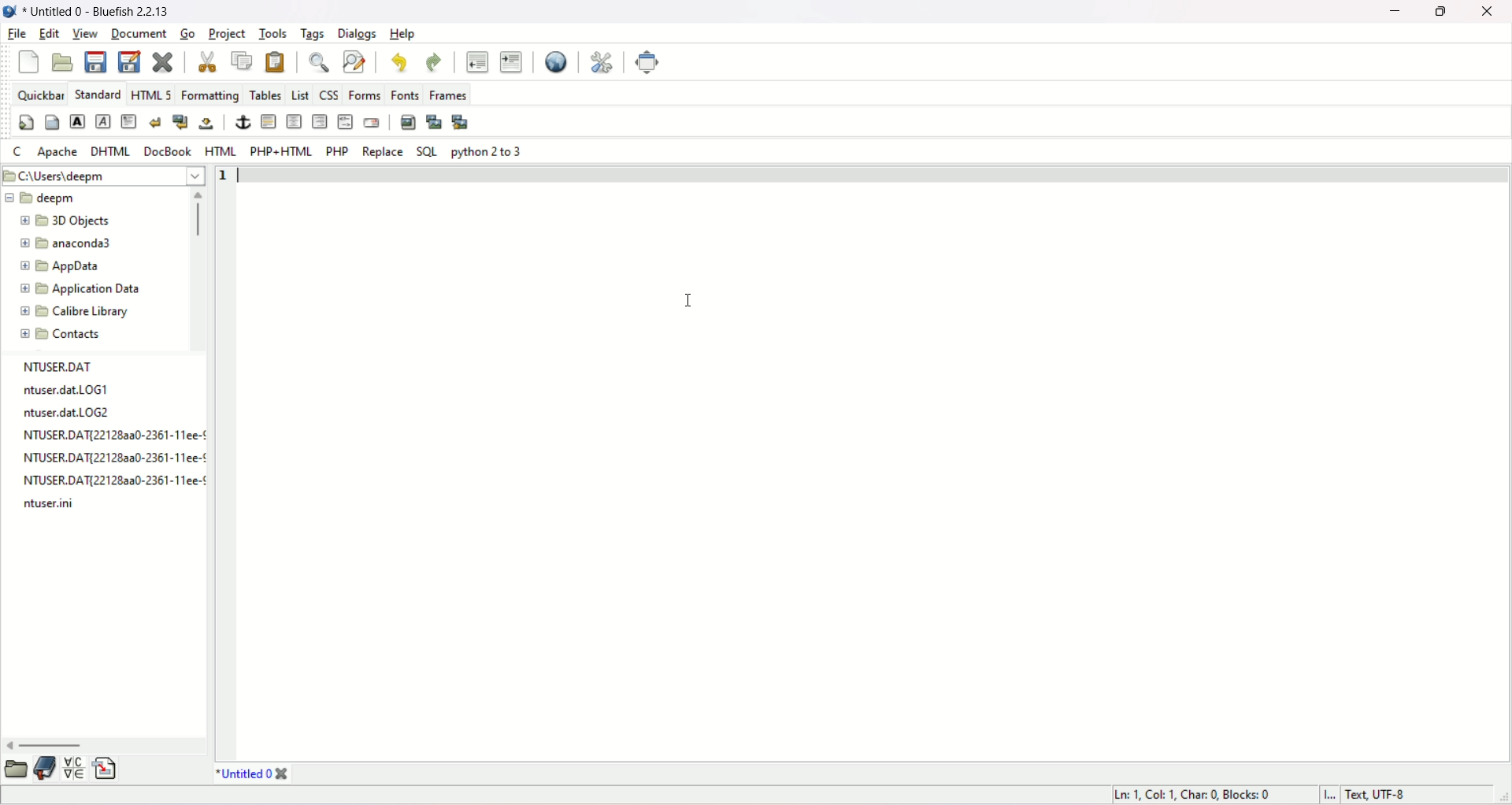  Describe the element at coordinates (346, 121) in the screenshot. I see `html comment` at that location.